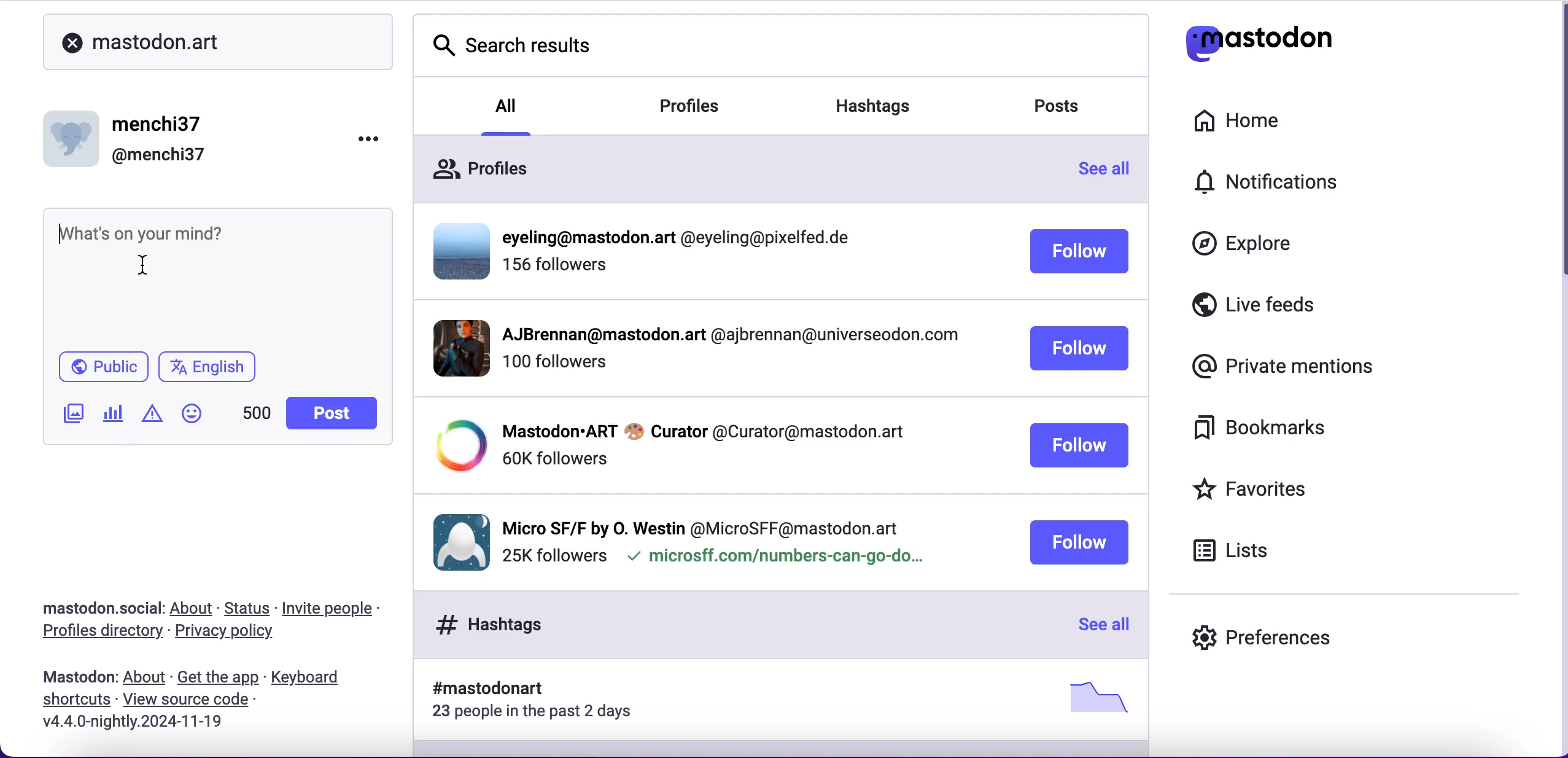  I want to click on hashtags, so click(889, 101).